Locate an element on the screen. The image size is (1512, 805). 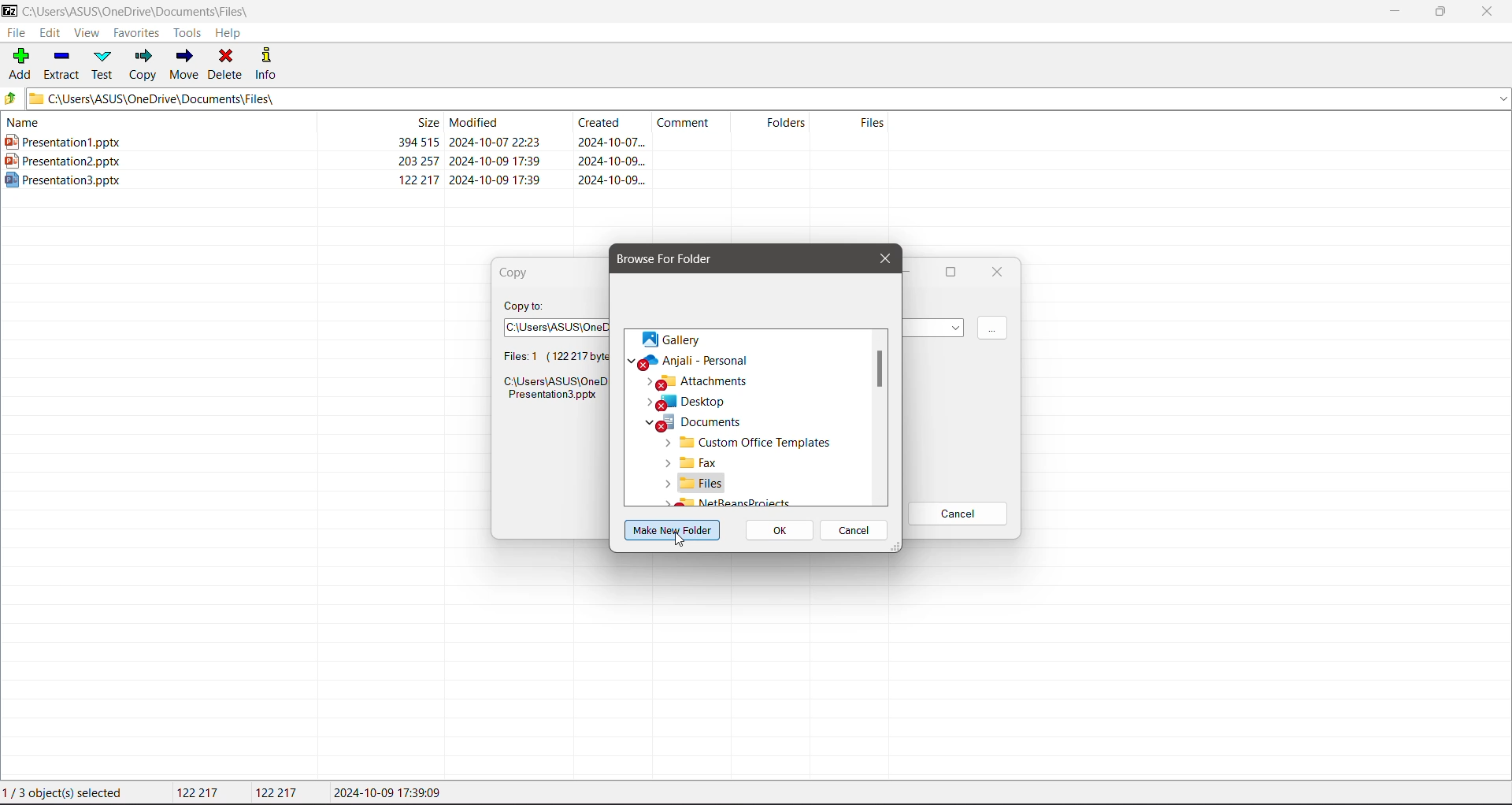
Maximize is located at coordinates (948, 273).